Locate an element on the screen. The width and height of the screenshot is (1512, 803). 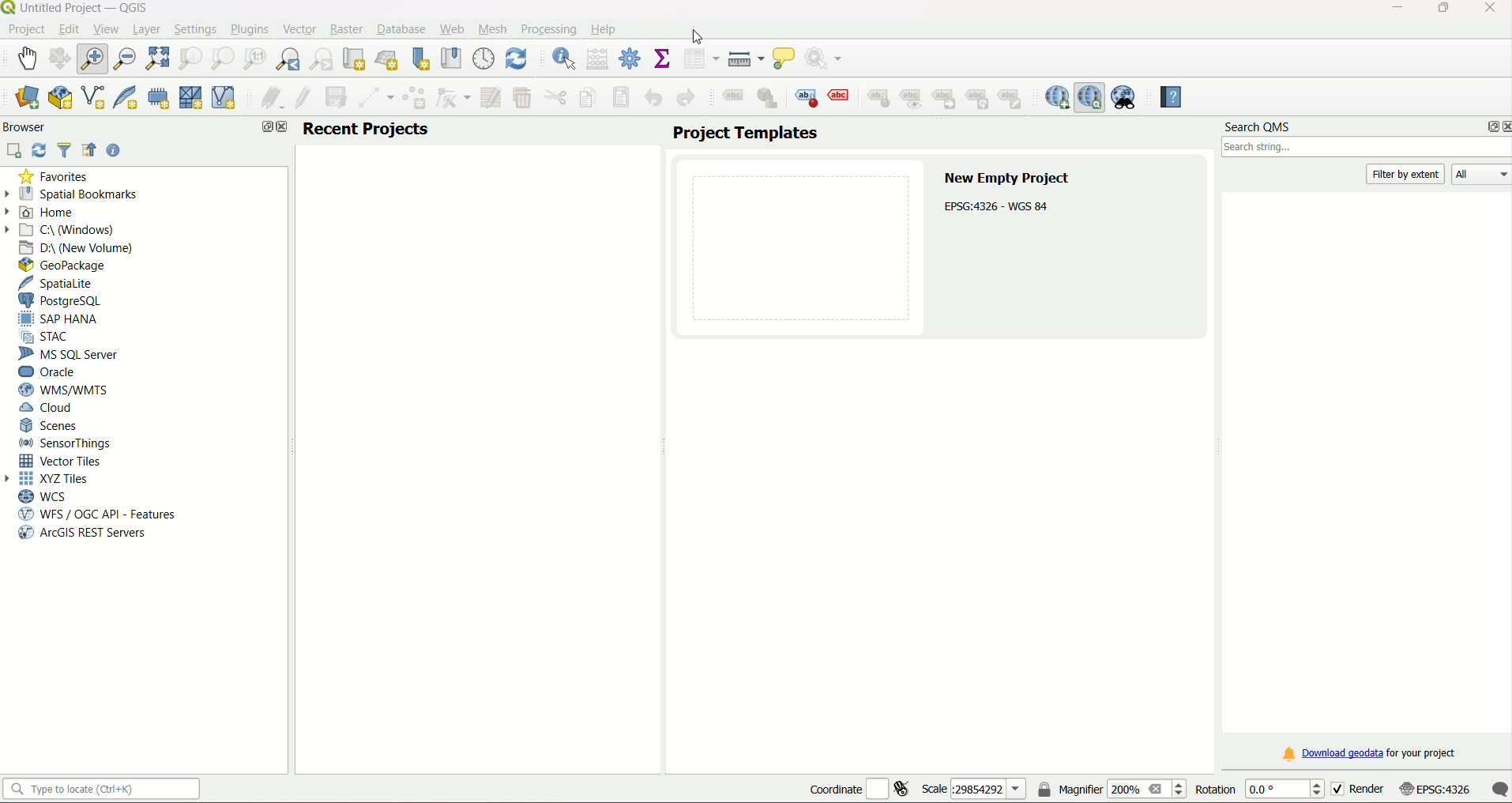
help is located at coordinates (605, 29).